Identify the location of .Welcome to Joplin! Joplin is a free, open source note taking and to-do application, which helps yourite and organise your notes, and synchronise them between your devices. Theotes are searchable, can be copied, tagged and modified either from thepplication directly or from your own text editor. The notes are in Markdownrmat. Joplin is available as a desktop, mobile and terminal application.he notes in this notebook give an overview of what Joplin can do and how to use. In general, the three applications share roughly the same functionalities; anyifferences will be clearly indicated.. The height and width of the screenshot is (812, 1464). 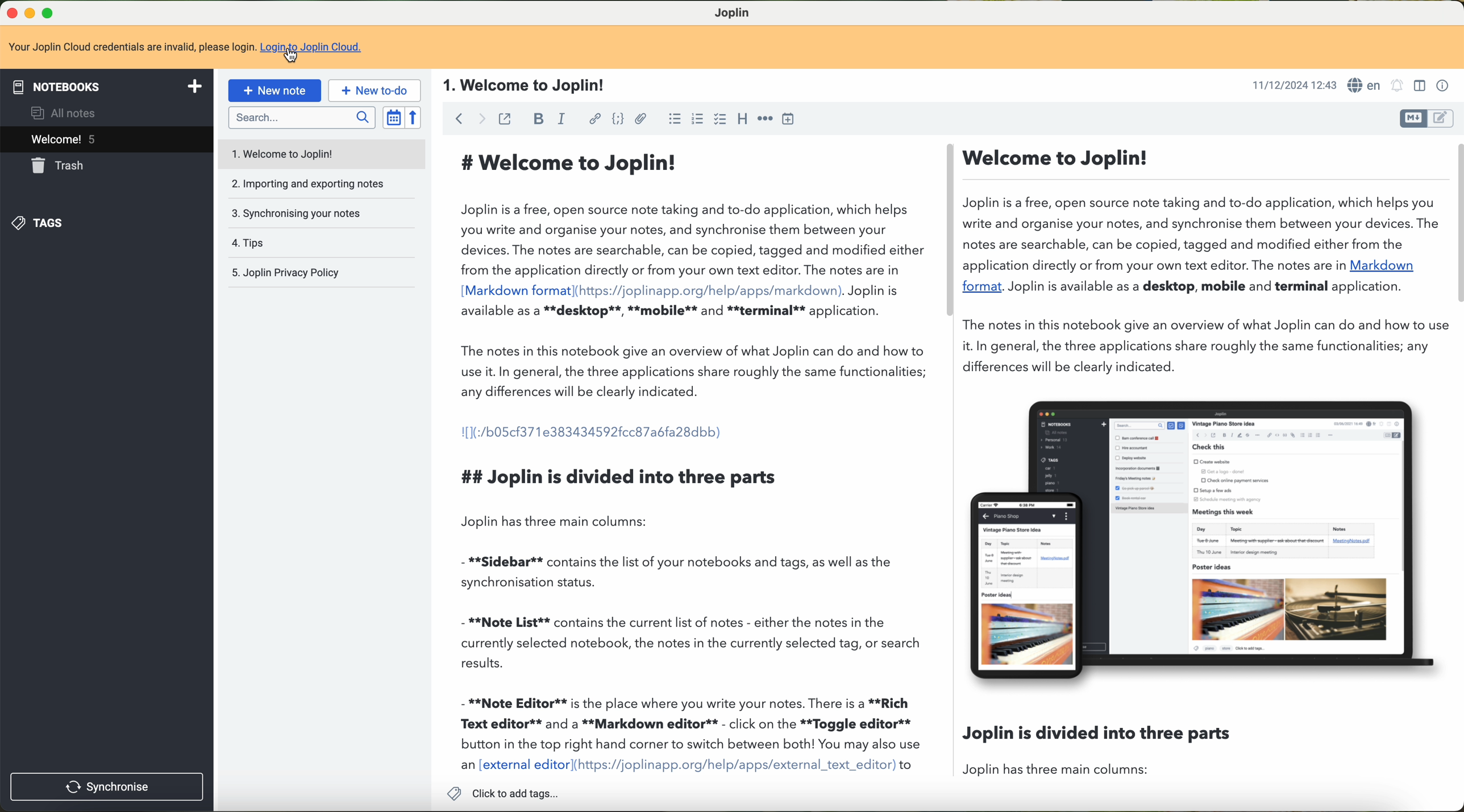
(1203, 258).